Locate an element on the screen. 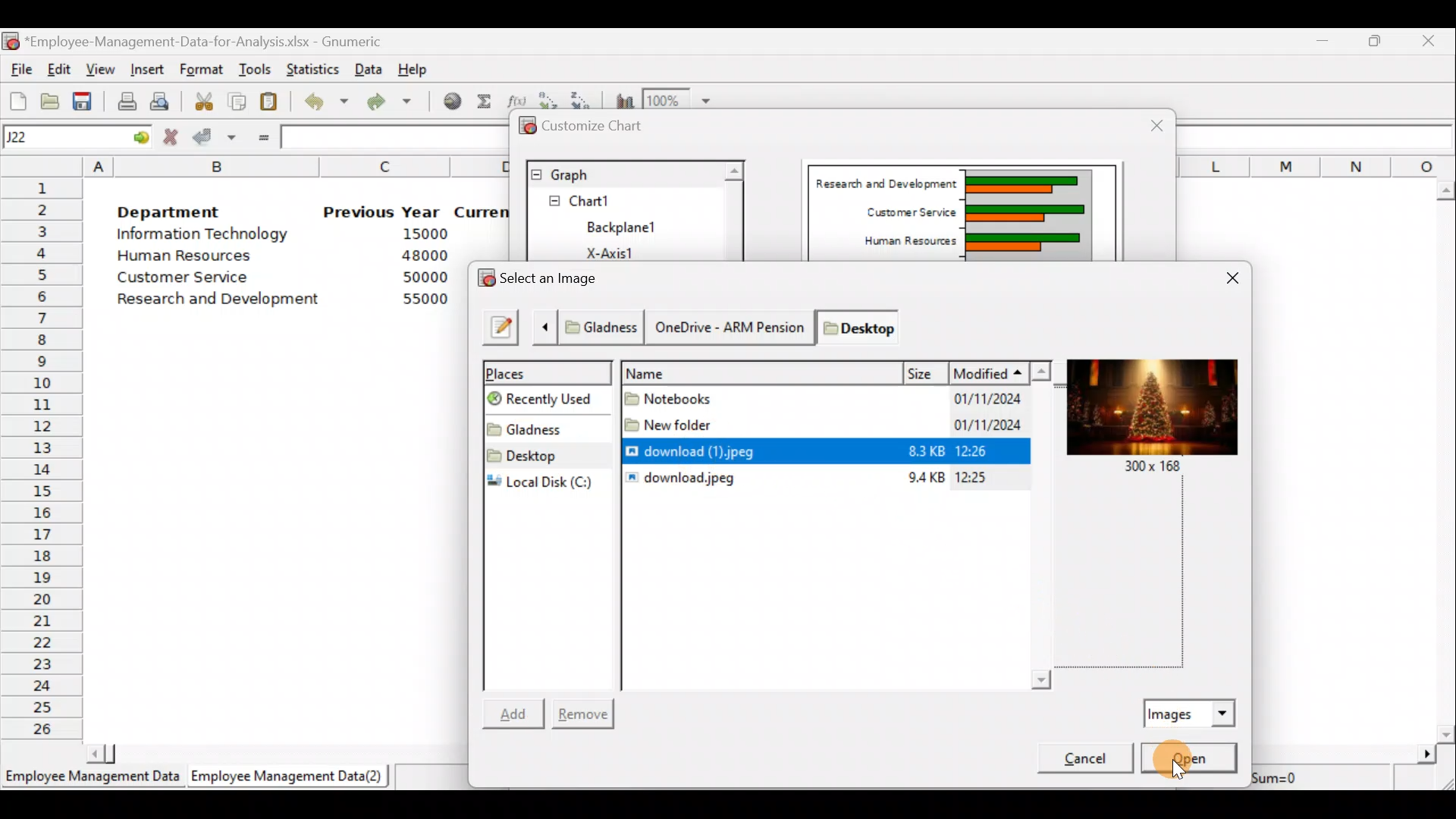 The width and height of the screenshot is (1456, 819). 55000 is located at coordinates (423, 300).